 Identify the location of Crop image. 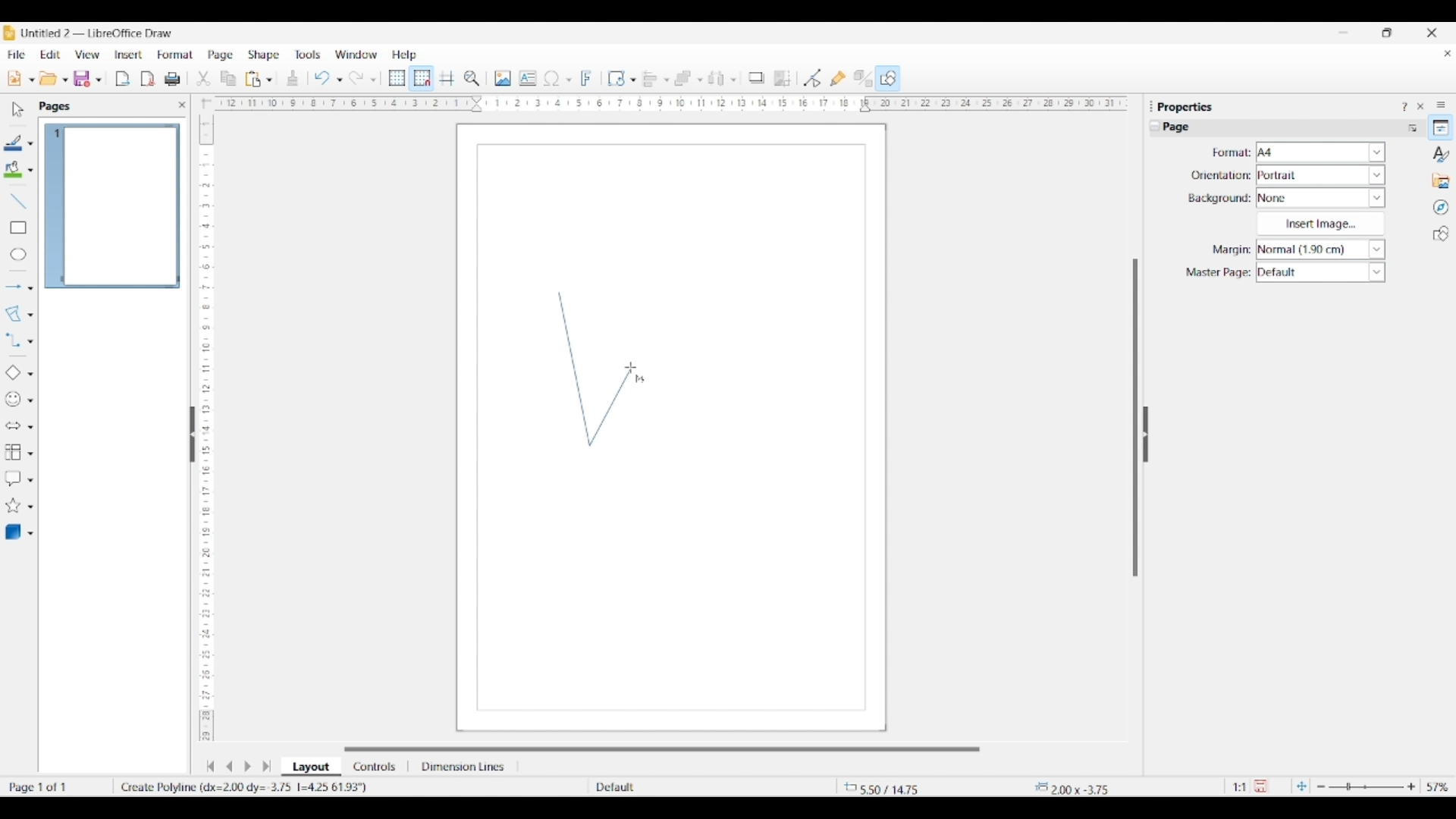
(783, 78).